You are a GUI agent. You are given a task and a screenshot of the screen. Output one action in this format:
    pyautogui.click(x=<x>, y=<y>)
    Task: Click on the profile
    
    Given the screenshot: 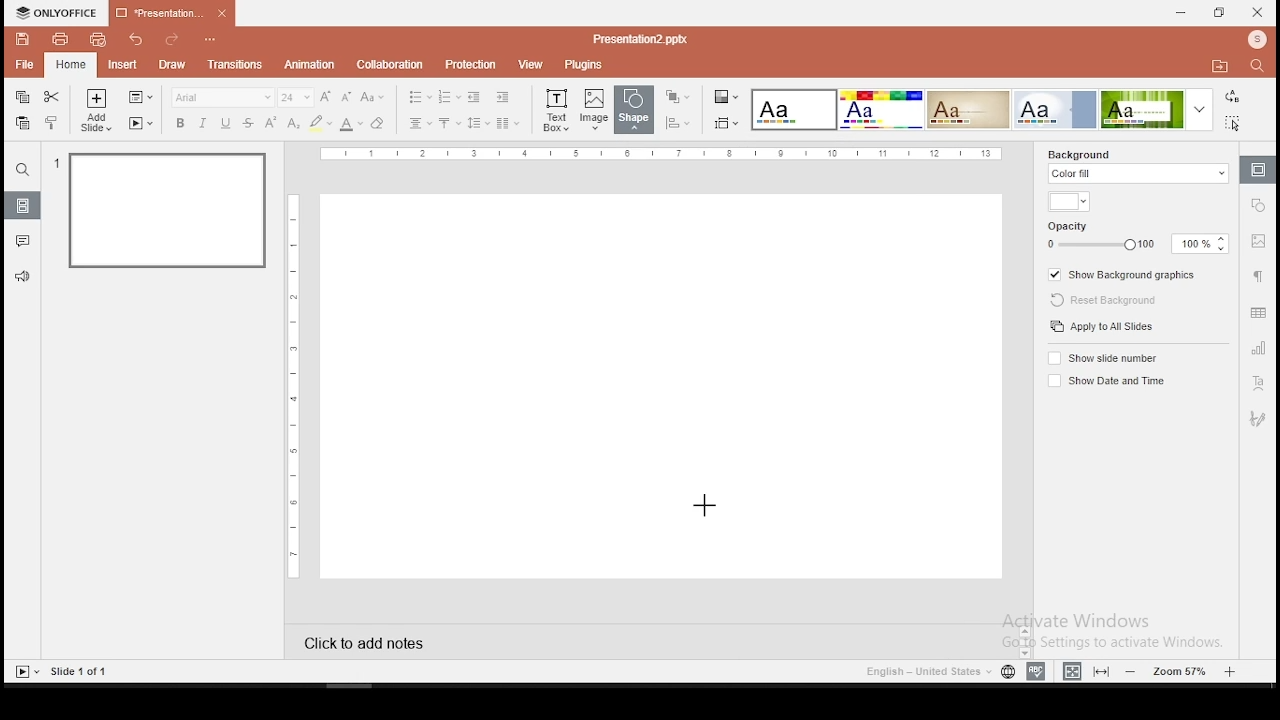 What is the action you would take?
    pyautogui.click(x=1255, y=41)
    